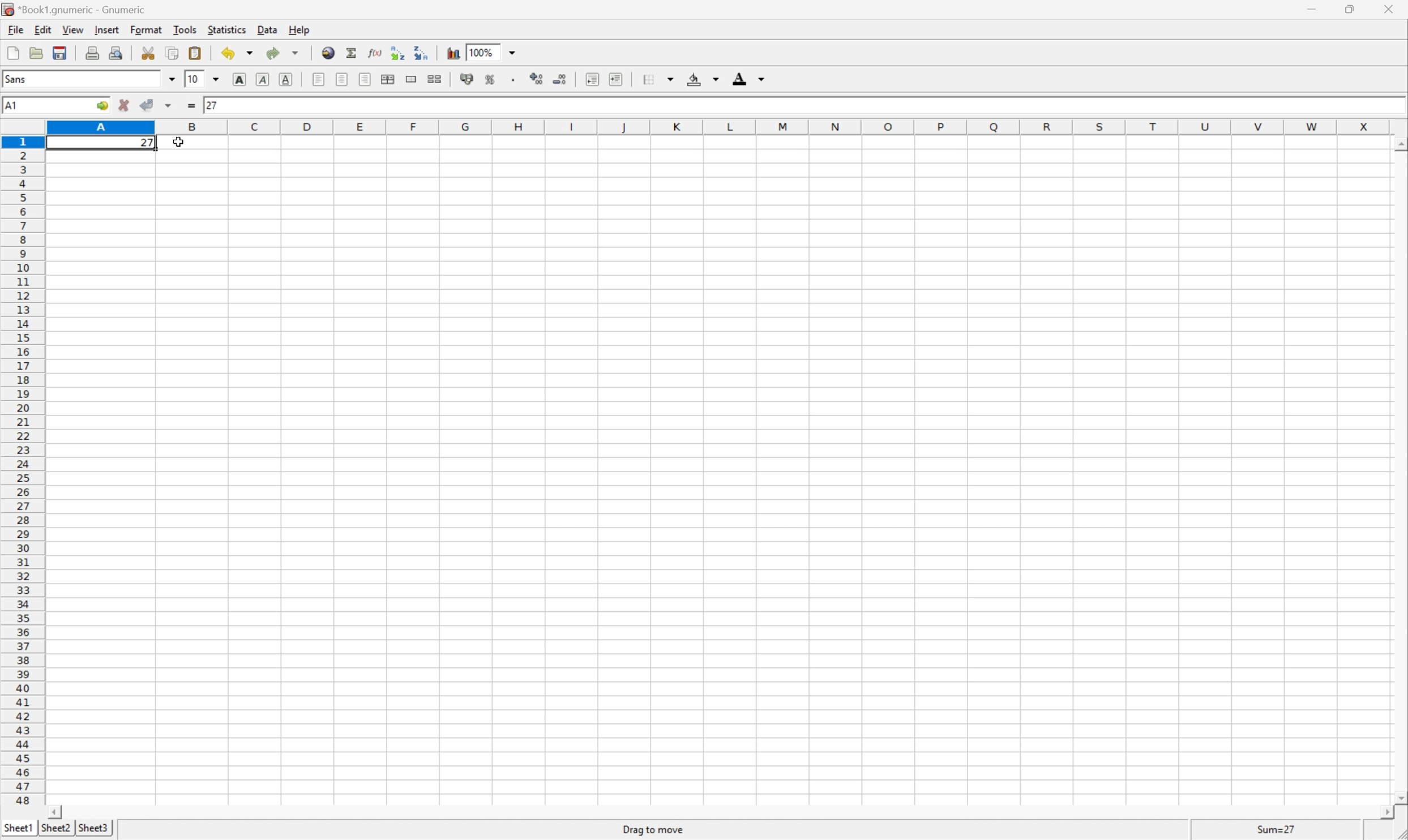 This screenshot has width=1408, height=840. What do you see at coordinates (340, 78) in the screenshot?
I see `Center horizontally` at bounding box center [340, 78].